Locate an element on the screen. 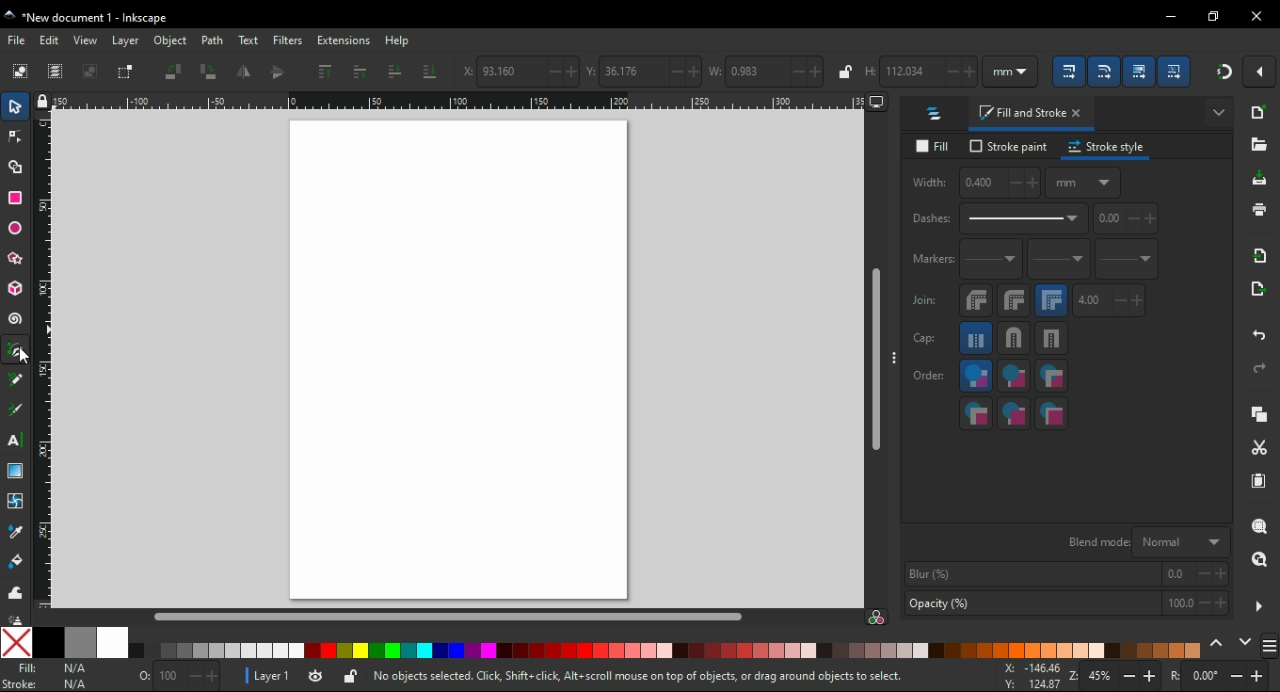 The image size is (1280, 692). dashes is located at coordinates (998, 219).